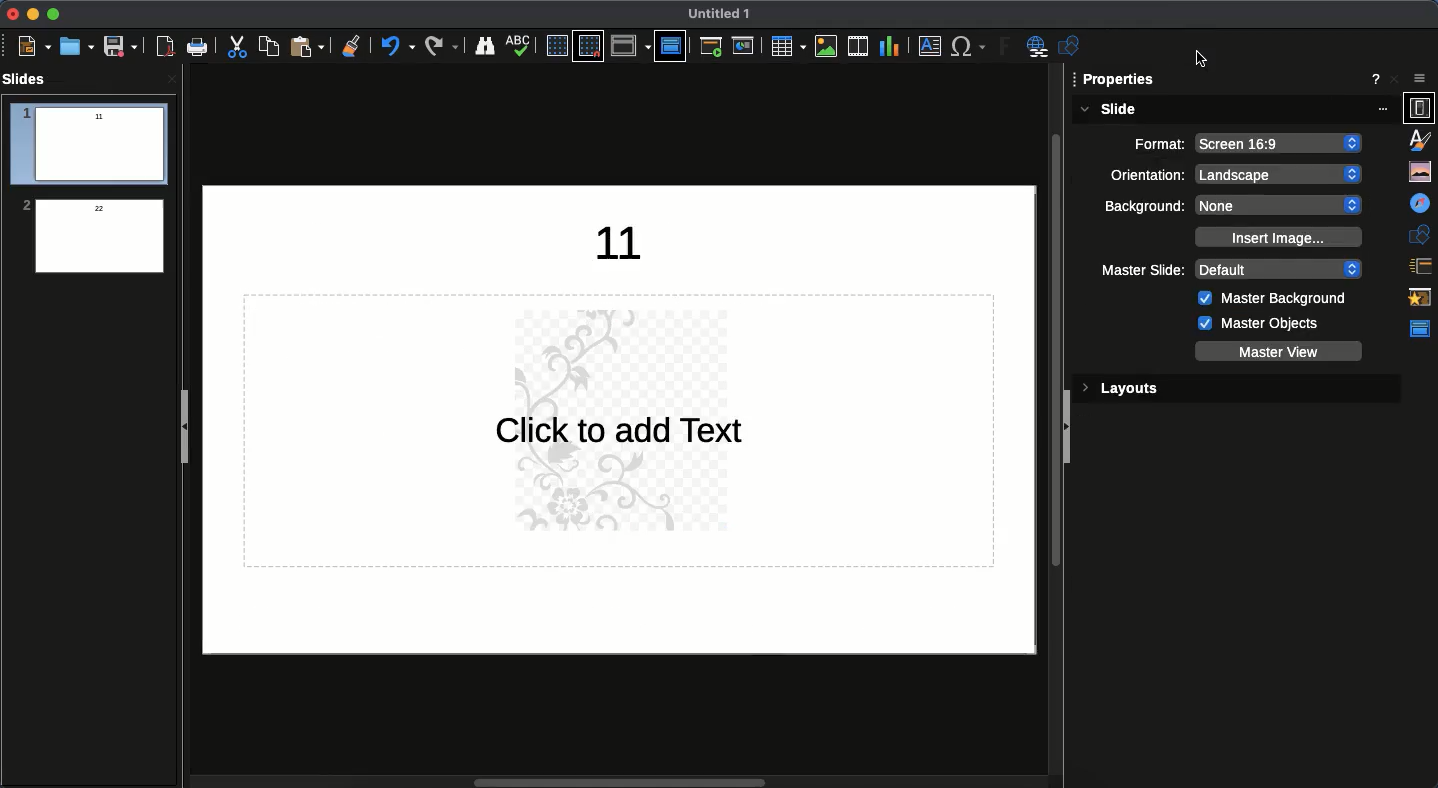 The width and height of the screenshot is (1438, 788). What do you see at coordinates (30, 14) in the screenshot?
I see `Minimize` at bounding box center [30, 14].